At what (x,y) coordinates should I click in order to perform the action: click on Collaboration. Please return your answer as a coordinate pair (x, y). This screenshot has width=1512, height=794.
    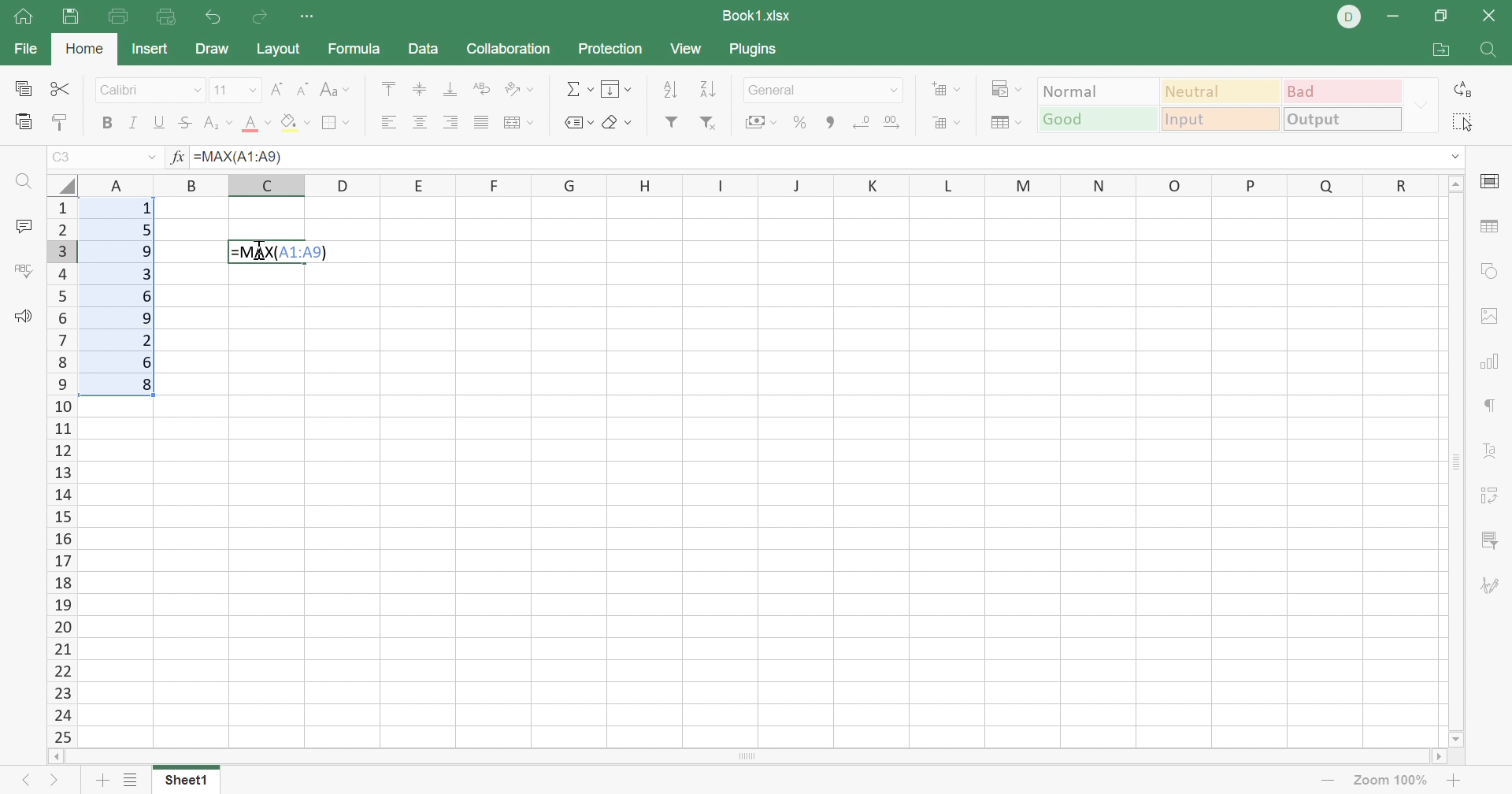
    Looking at the image, I should click on (511, 50).